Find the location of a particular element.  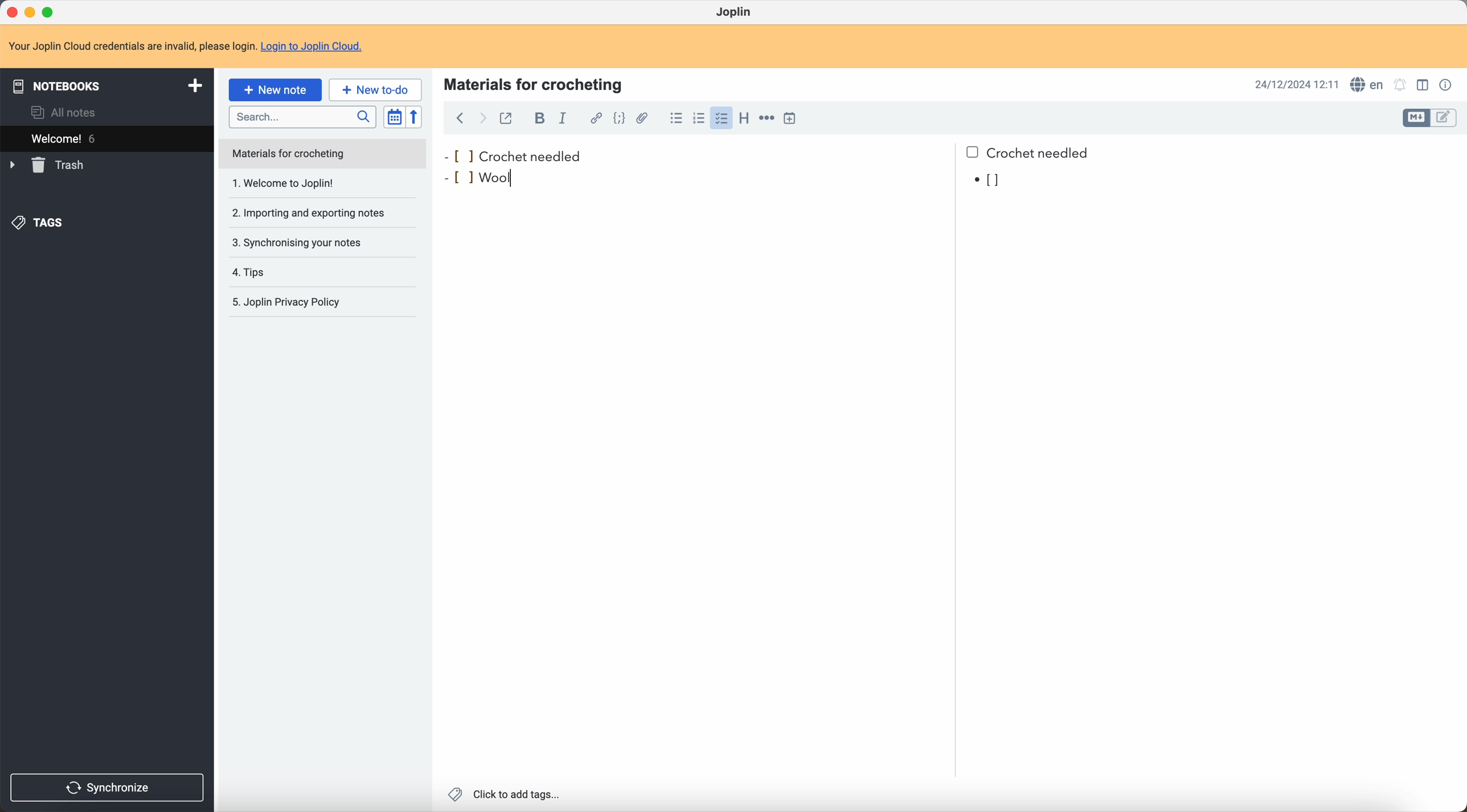

numbered list is located at coordinates (698, 118).